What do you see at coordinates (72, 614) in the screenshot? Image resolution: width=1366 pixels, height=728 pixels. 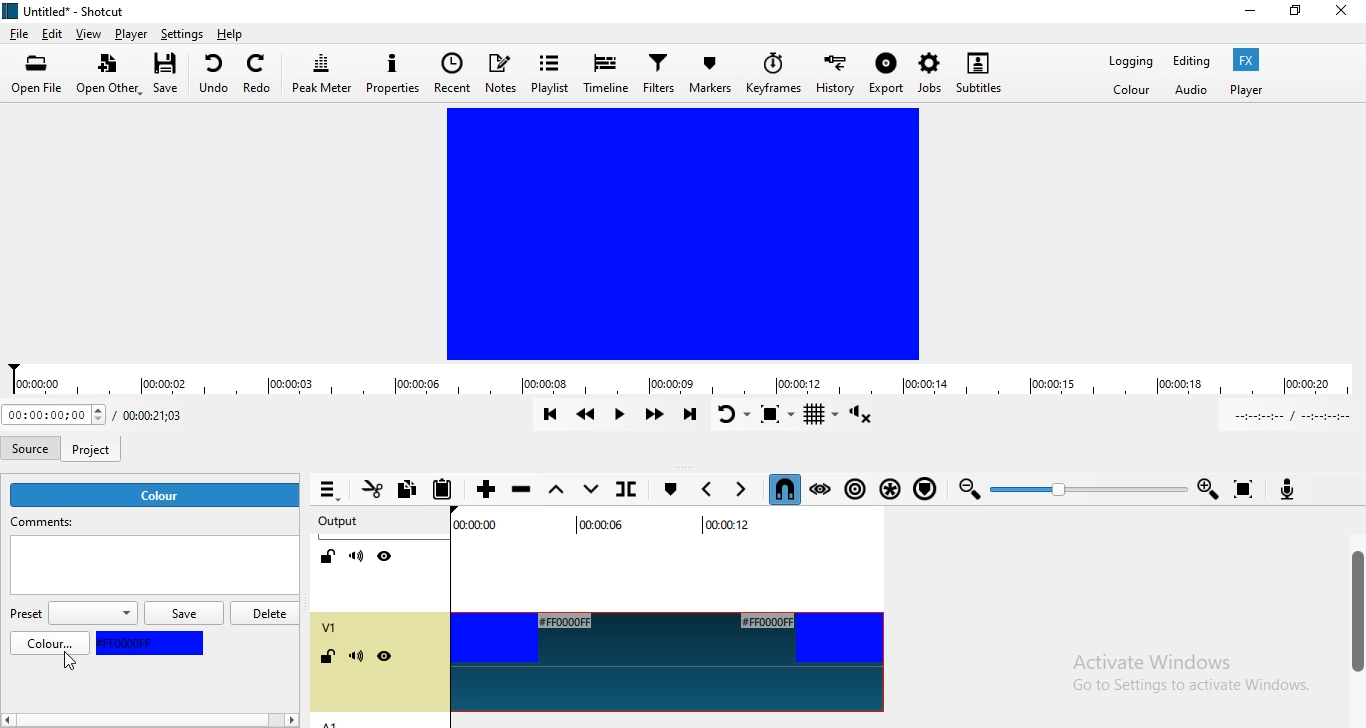 I see `preset` at bounding box center [72, 614].